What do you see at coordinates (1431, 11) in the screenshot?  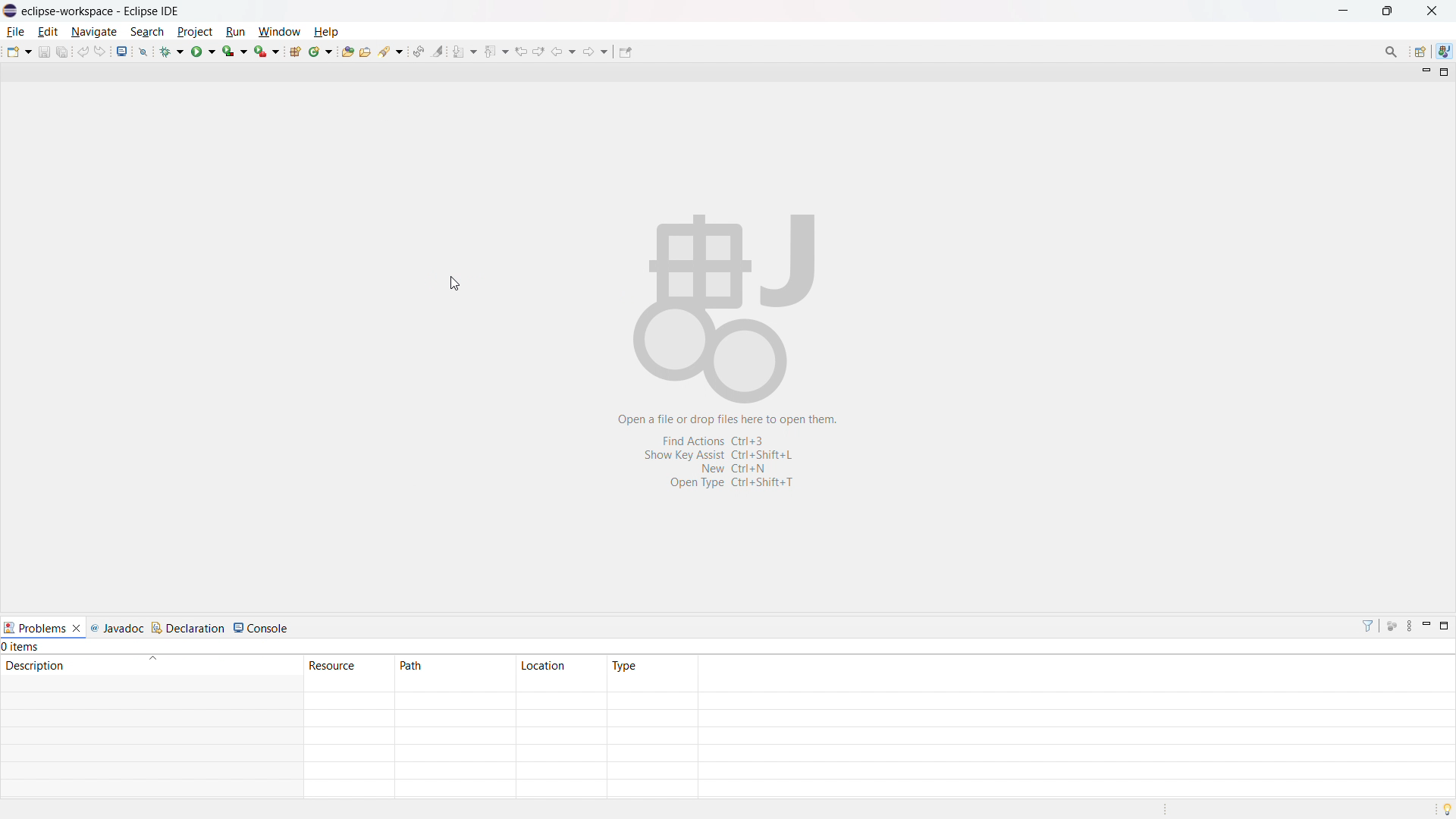 I see `close` at bounding box center [1431, 11].